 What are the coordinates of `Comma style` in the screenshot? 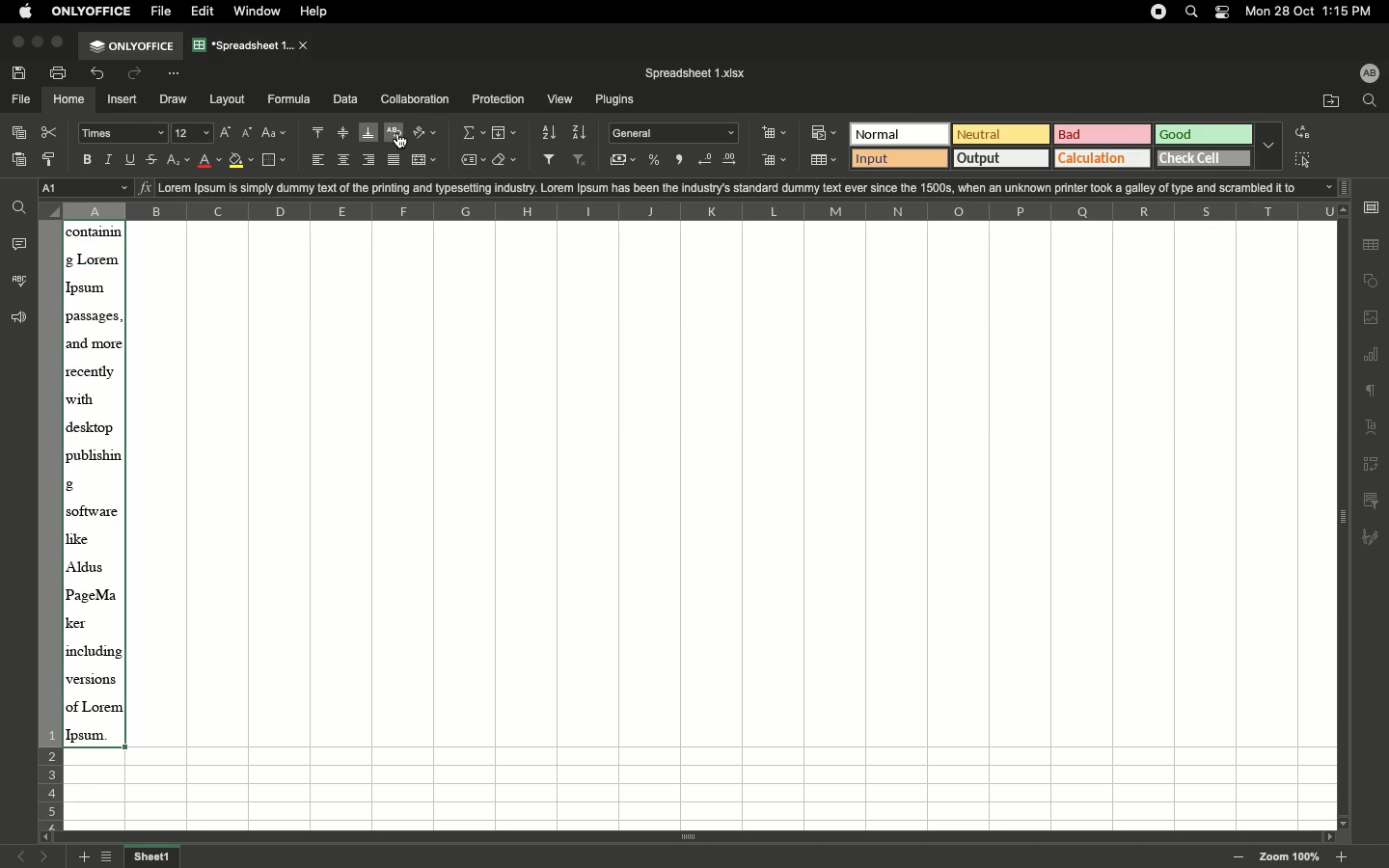 It's located at (681, 160).